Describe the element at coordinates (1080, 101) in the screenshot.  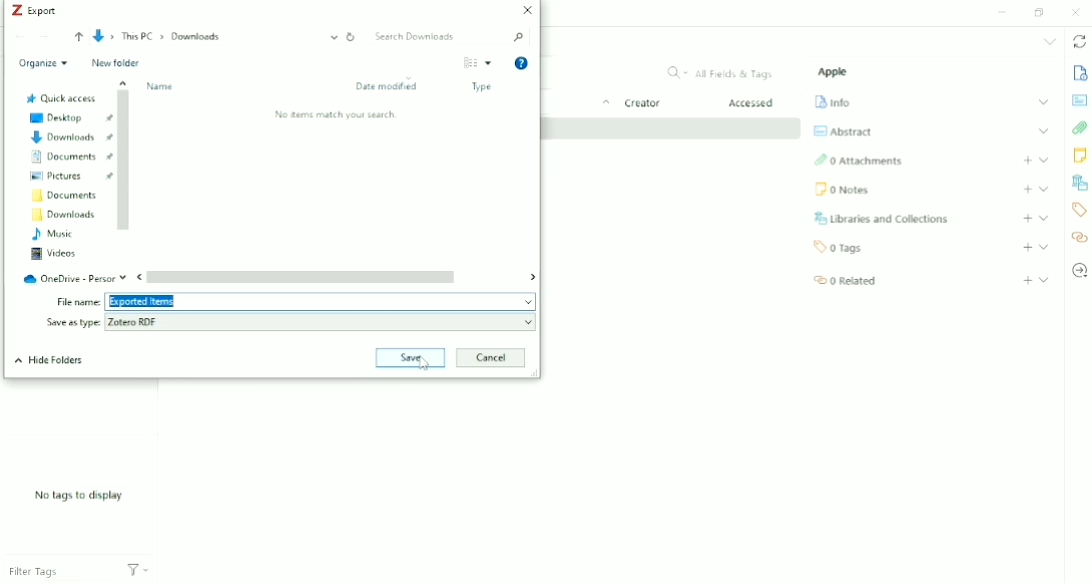
I see `Abstract` at that location.